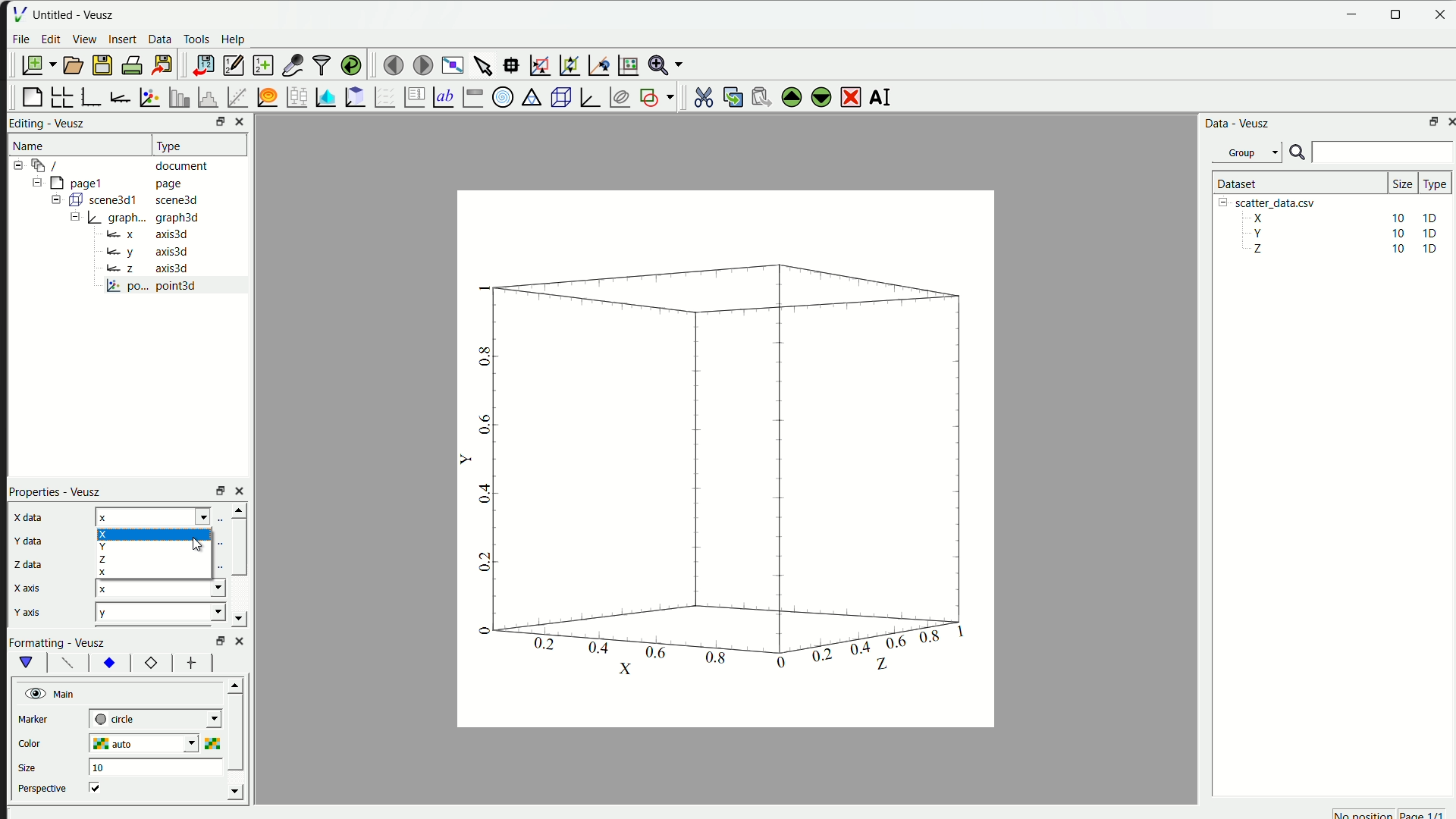 This screenshot has height=819, width=1456. Describe the element at coordinates (233, 38) in the screenshot. I see `Help` at that location.